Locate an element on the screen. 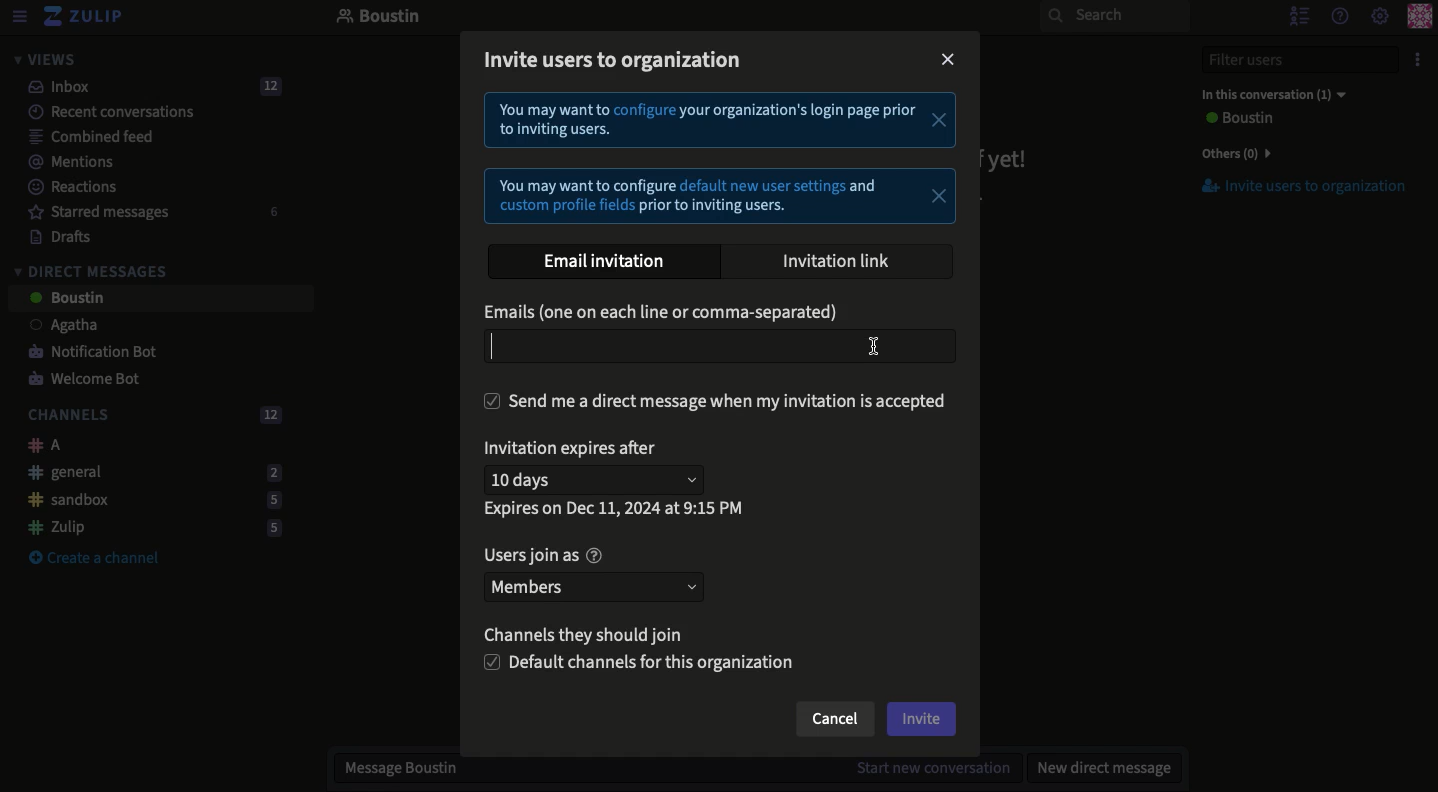 Image resolution: width=1438 pixels, height=792 pixels. Mentions is located at coordinates (64, 162).